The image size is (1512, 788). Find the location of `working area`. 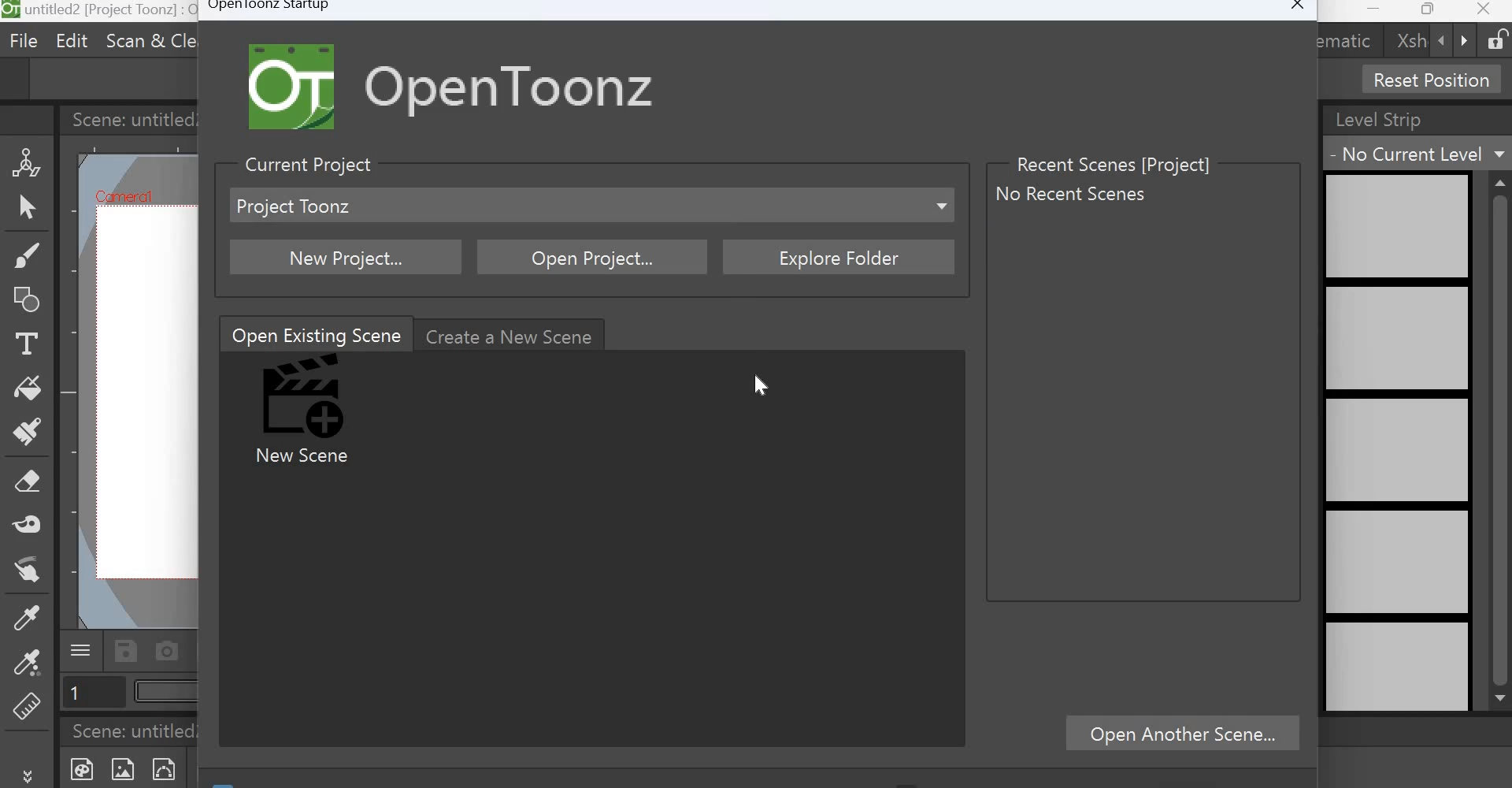

working area is located at coordinates (144, 394).